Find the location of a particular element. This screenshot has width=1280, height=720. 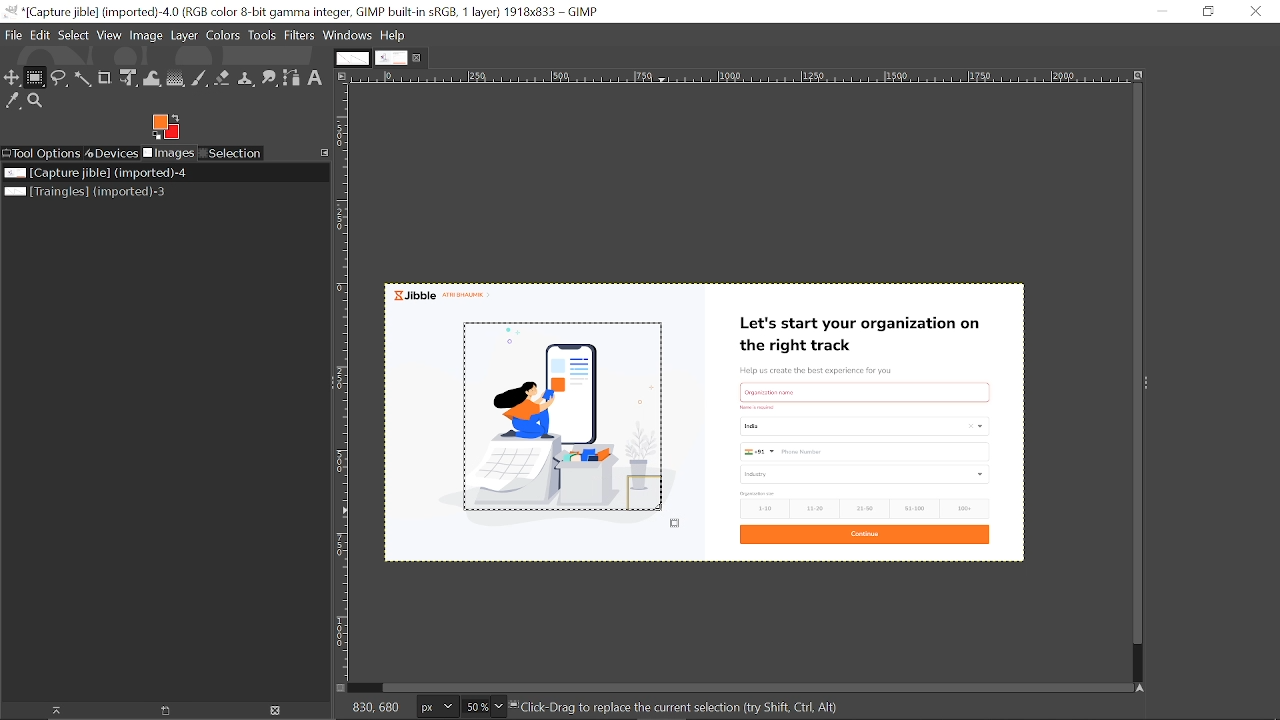

Close window is located at coordinates (1257, 11).